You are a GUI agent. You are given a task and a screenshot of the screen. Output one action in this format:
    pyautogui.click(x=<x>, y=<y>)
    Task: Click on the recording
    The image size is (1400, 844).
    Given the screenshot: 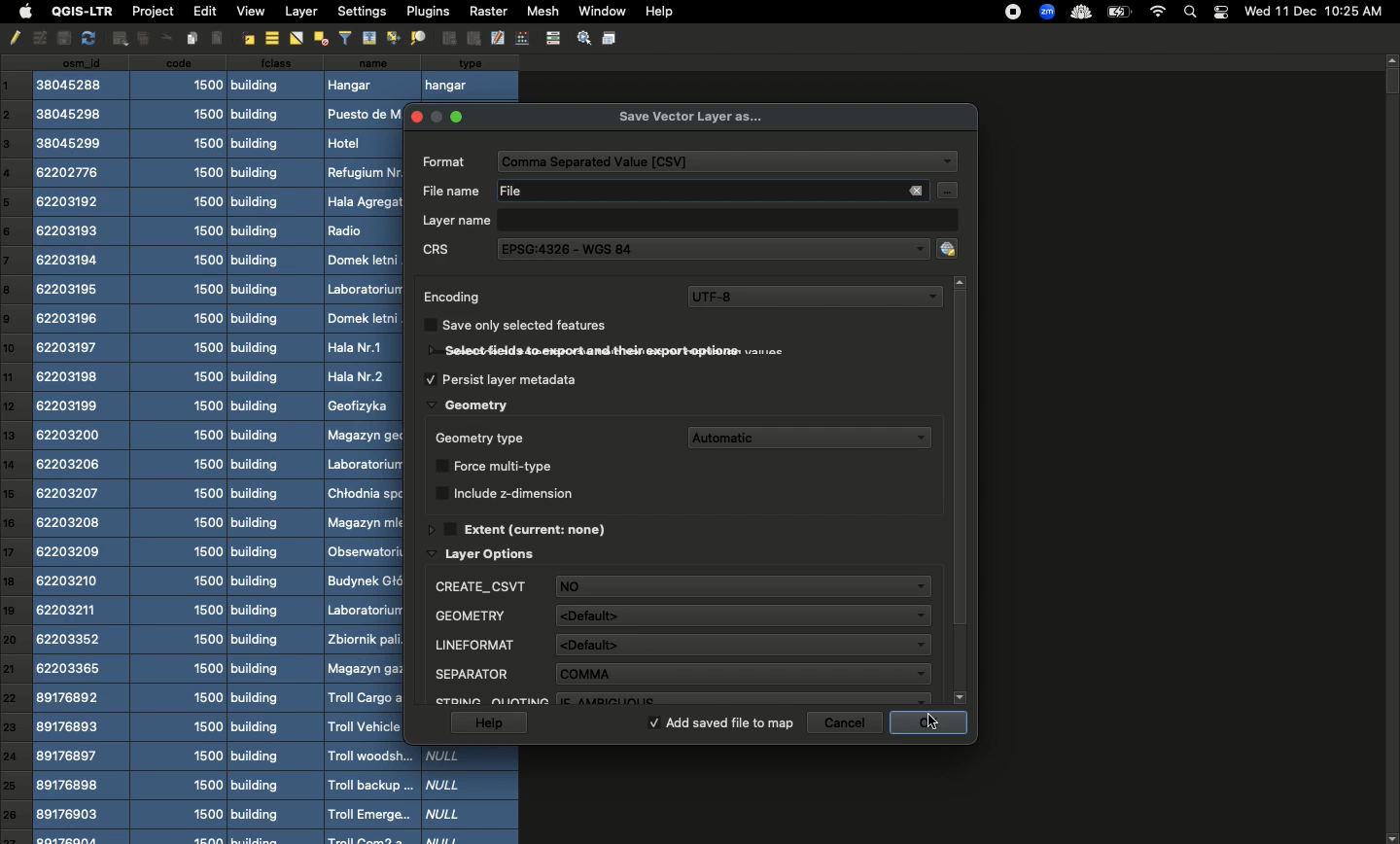 What is the action you would take?
    pyautogui.click(x=1010, y=13)
    